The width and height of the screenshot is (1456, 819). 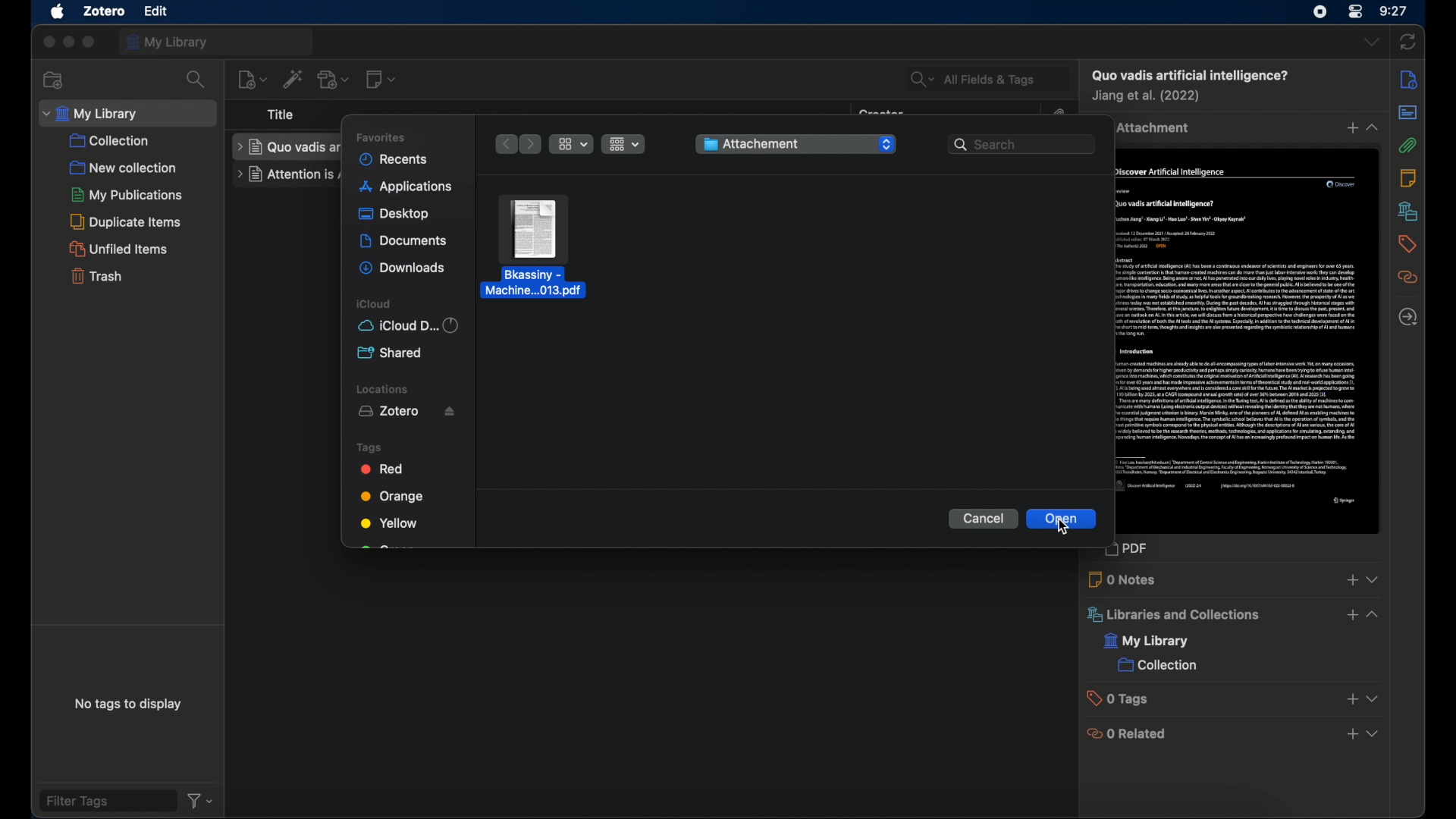 I want to click on yellow, so click(x=389, y=523).